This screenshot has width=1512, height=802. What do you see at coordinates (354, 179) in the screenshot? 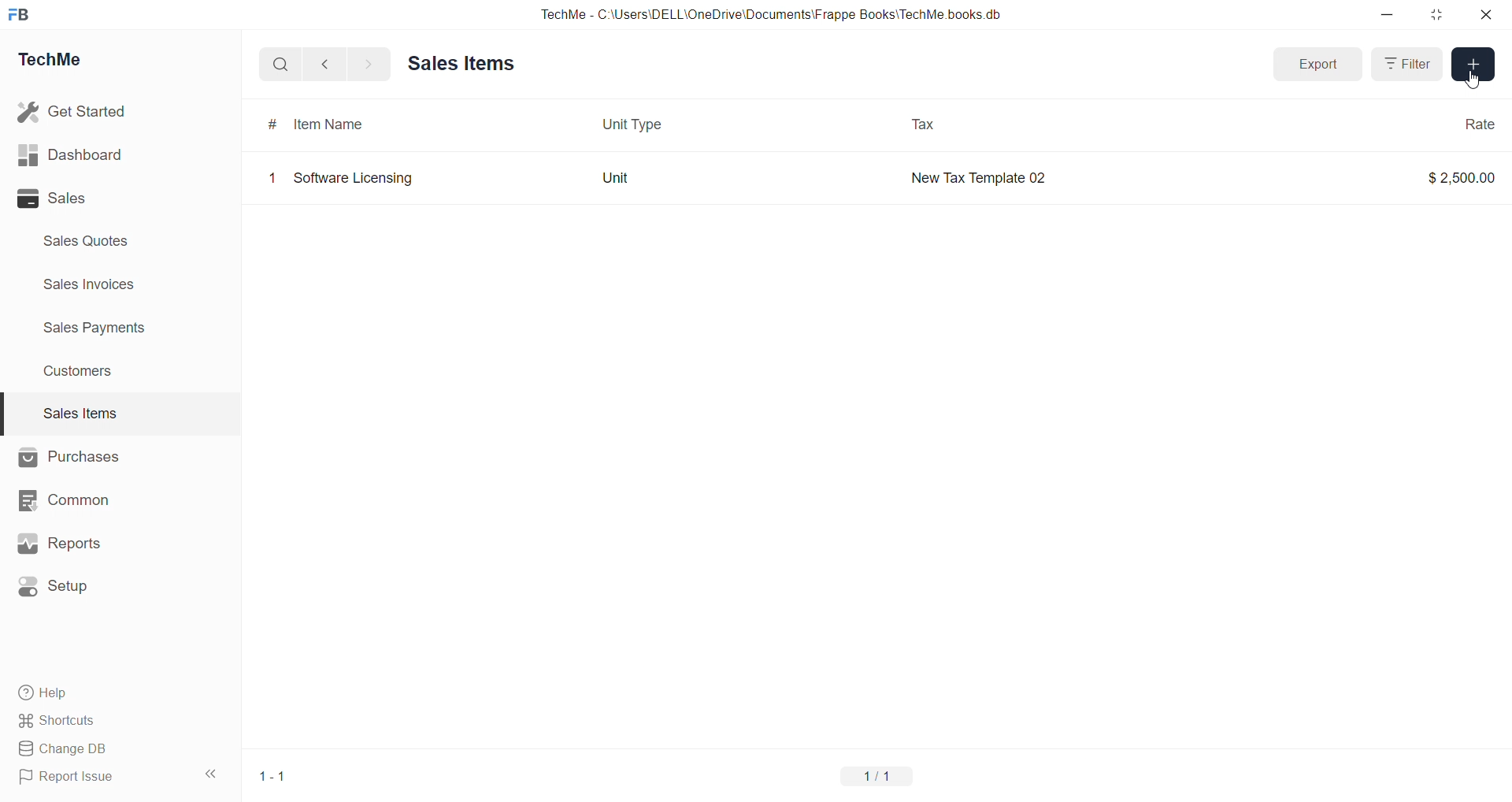
I see `Software Licensing` at bounding box center [354, 179].